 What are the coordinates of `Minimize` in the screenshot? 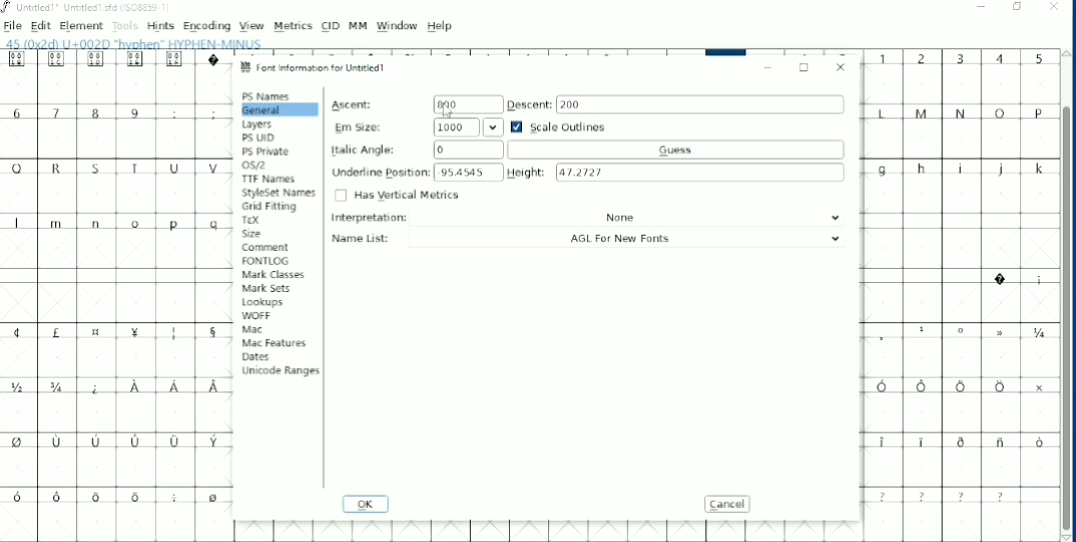 It's located at (768, 68).